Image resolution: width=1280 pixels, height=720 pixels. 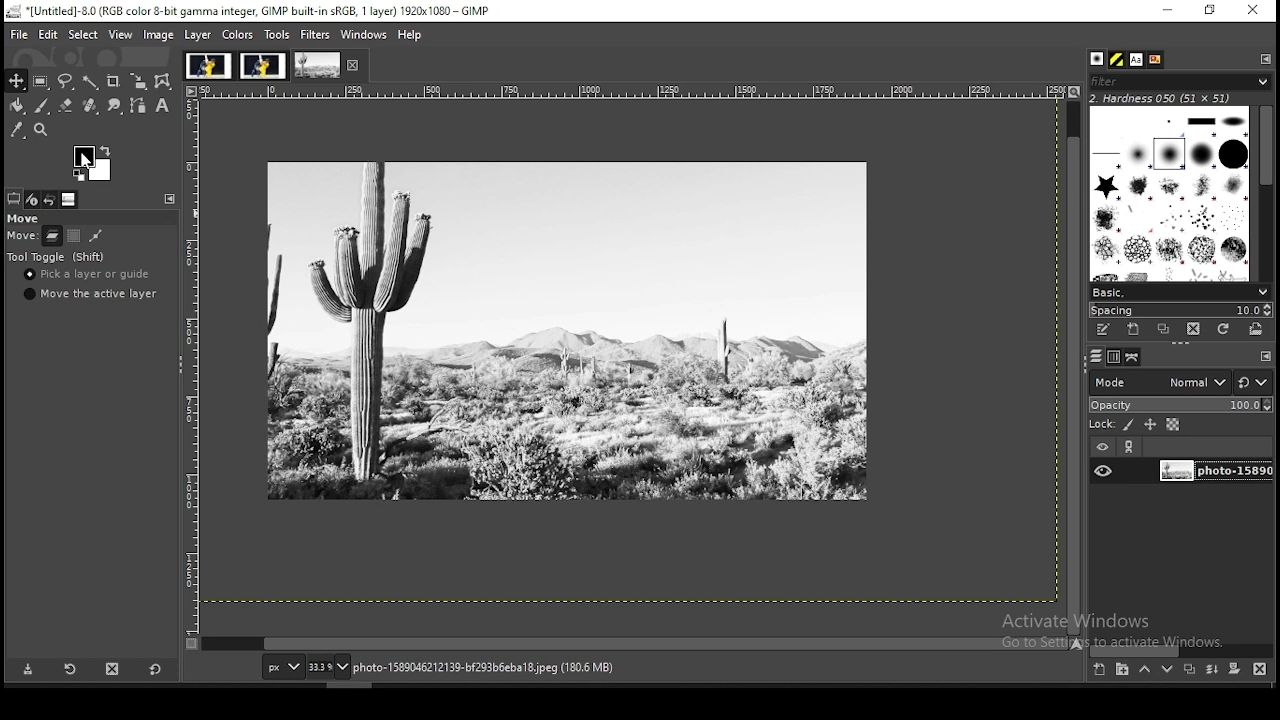 What do you see at coordinates (1101, 671) in the screenshot?
I see `new layer` at bounding box center [1101, 671].